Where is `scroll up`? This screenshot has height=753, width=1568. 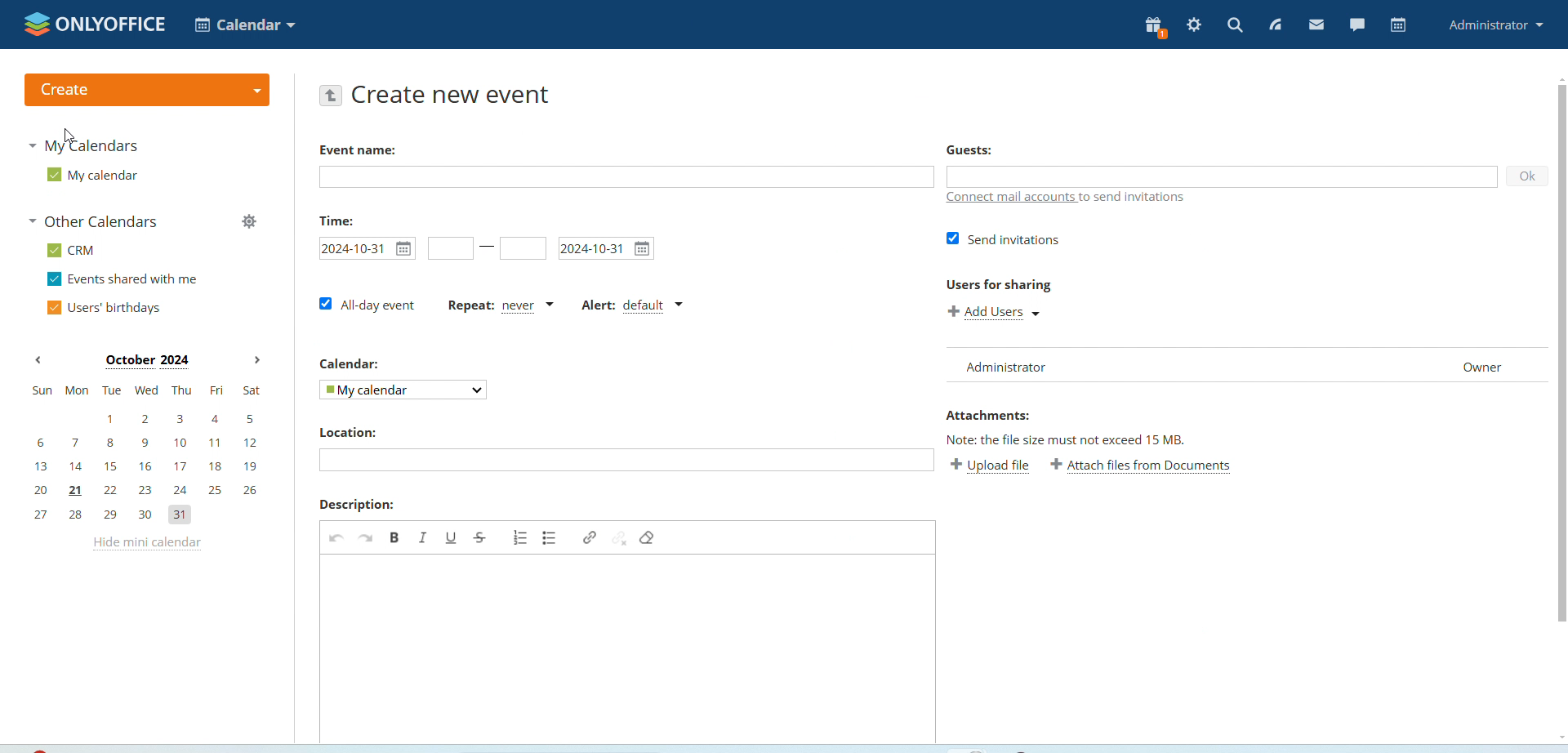
scroll up is located at coordinates (1558, 78).